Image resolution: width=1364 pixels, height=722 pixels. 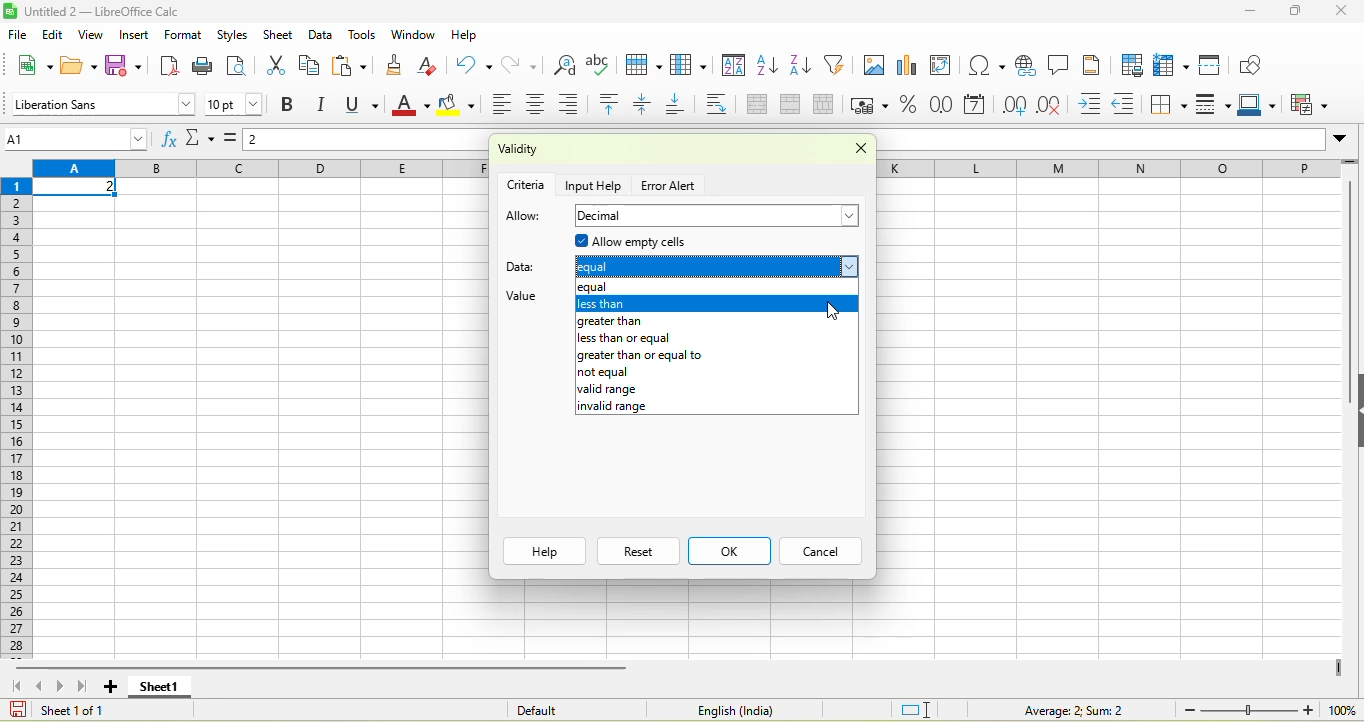 What do you see at coordinates (526, 264) in the screenshot?
I see `data` at bounding box center [526, 264].